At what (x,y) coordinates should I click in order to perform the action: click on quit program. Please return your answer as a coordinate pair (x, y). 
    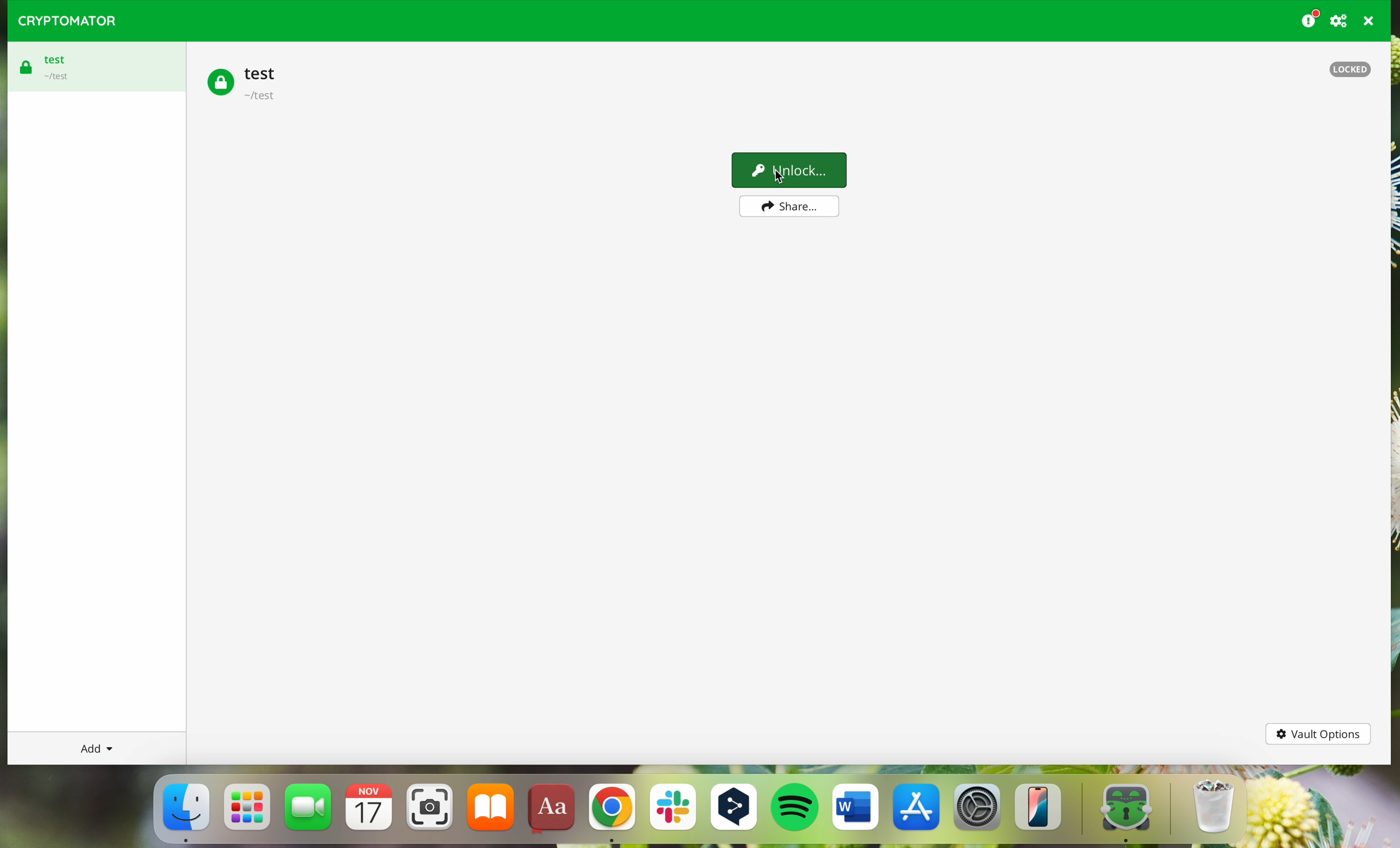
    Looking at the image, I should click on (1369, 21).